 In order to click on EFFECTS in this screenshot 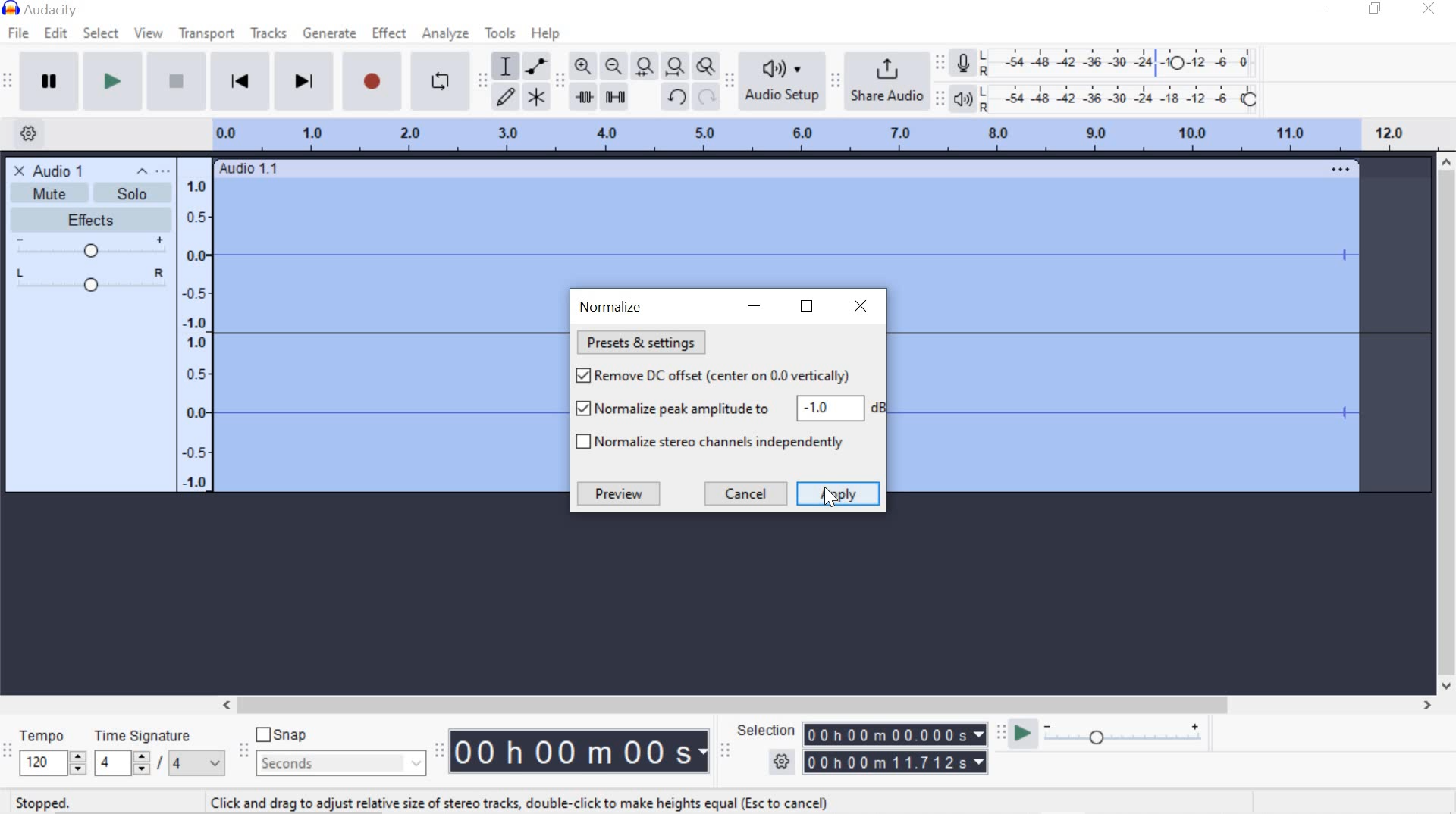, I will do `click(87, 218)`.